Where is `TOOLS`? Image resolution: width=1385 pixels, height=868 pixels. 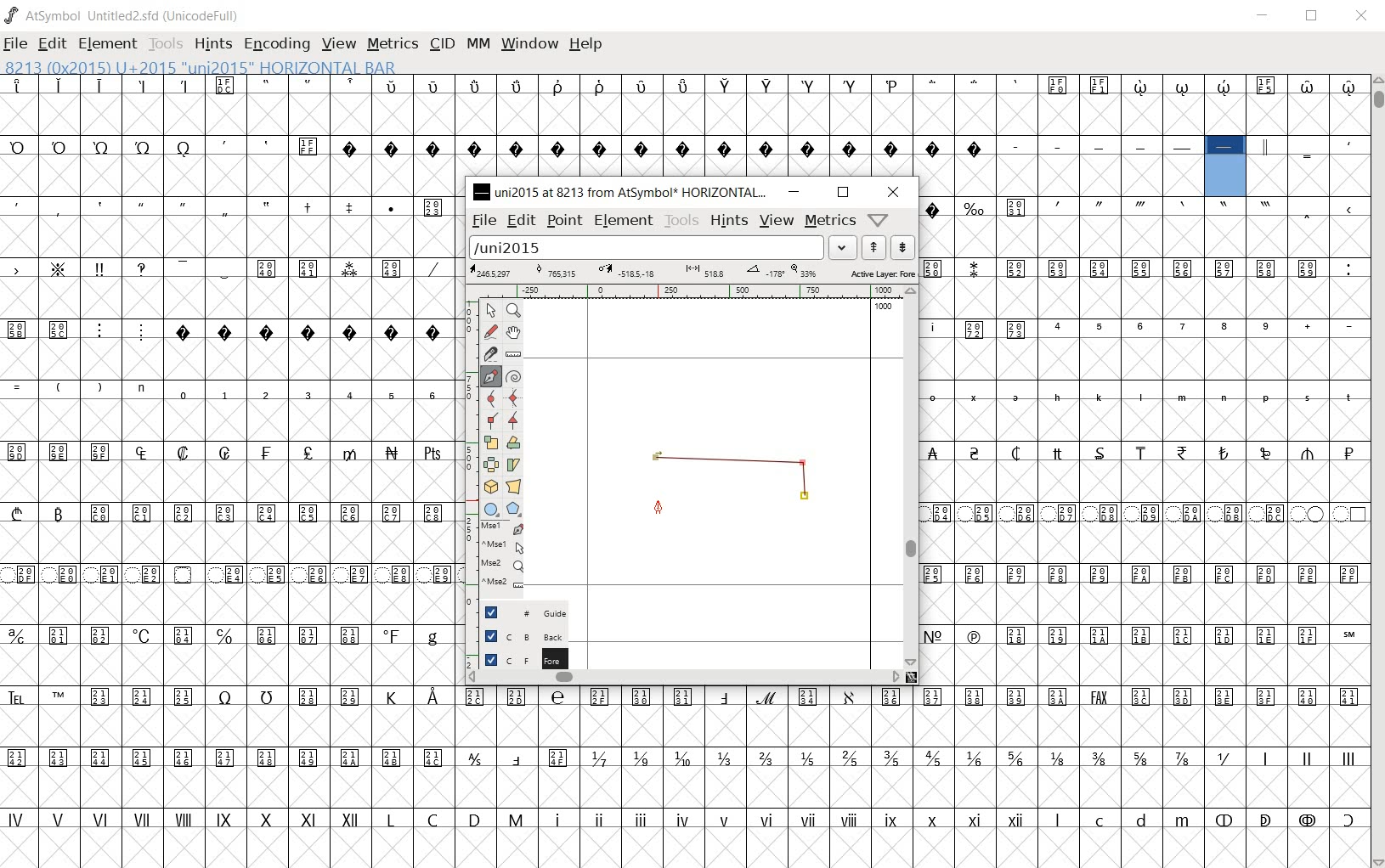
TOOLS is located at coordinates (168, 45).